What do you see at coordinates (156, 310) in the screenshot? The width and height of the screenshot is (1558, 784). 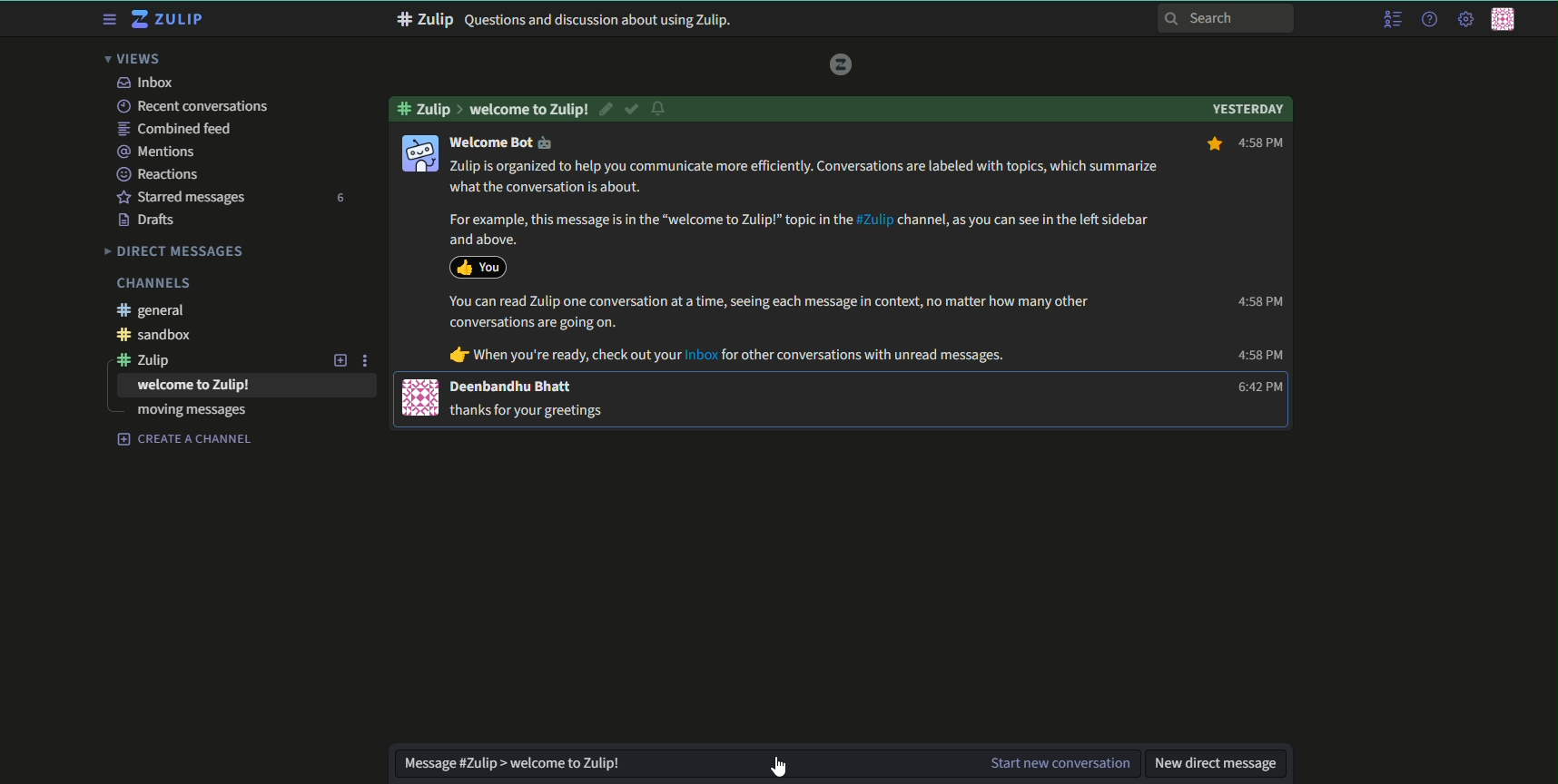 I see `#general` at bounding box center [156, 310].